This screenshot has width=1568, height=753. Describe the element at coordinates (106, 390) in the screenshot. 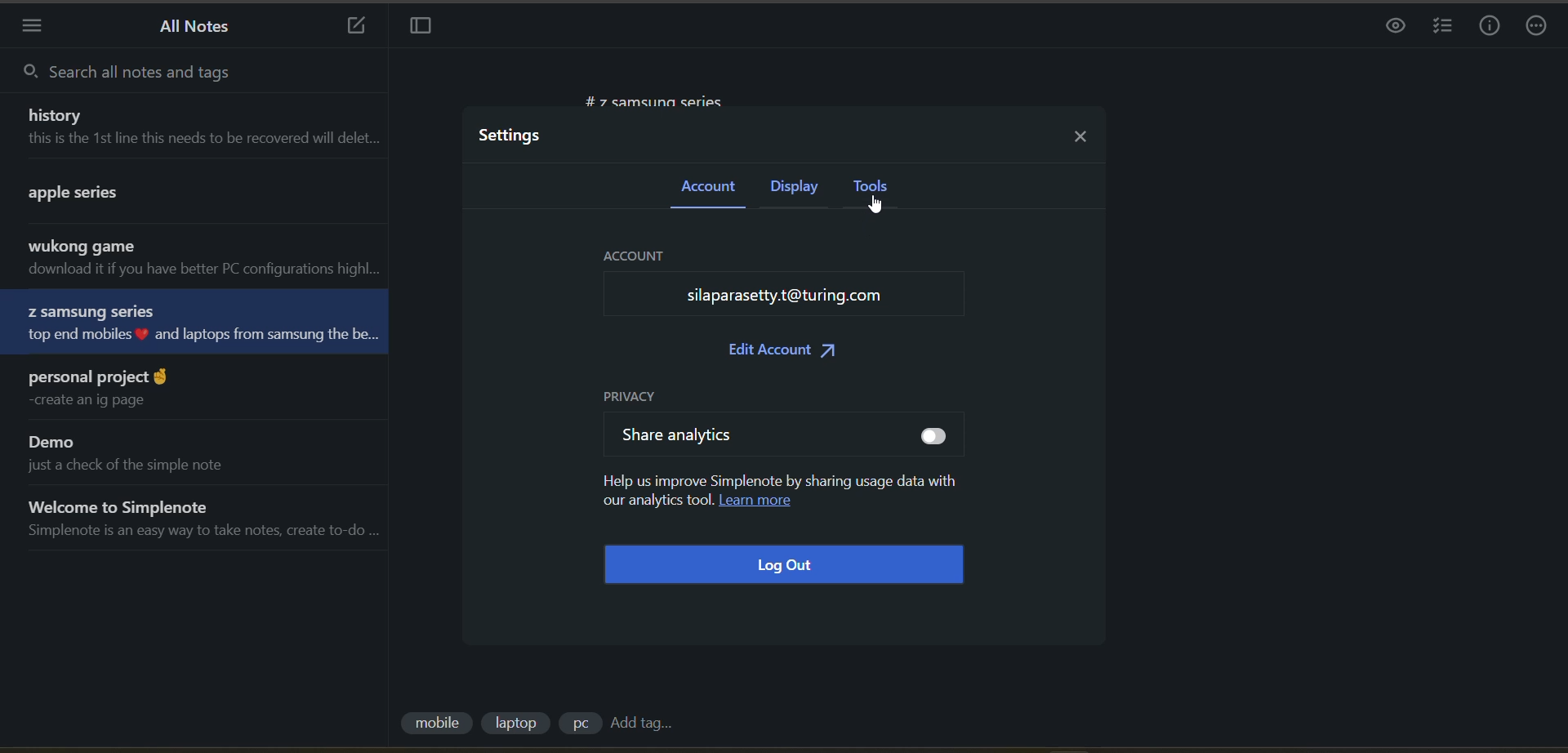

I see `note title and preview` at that location.